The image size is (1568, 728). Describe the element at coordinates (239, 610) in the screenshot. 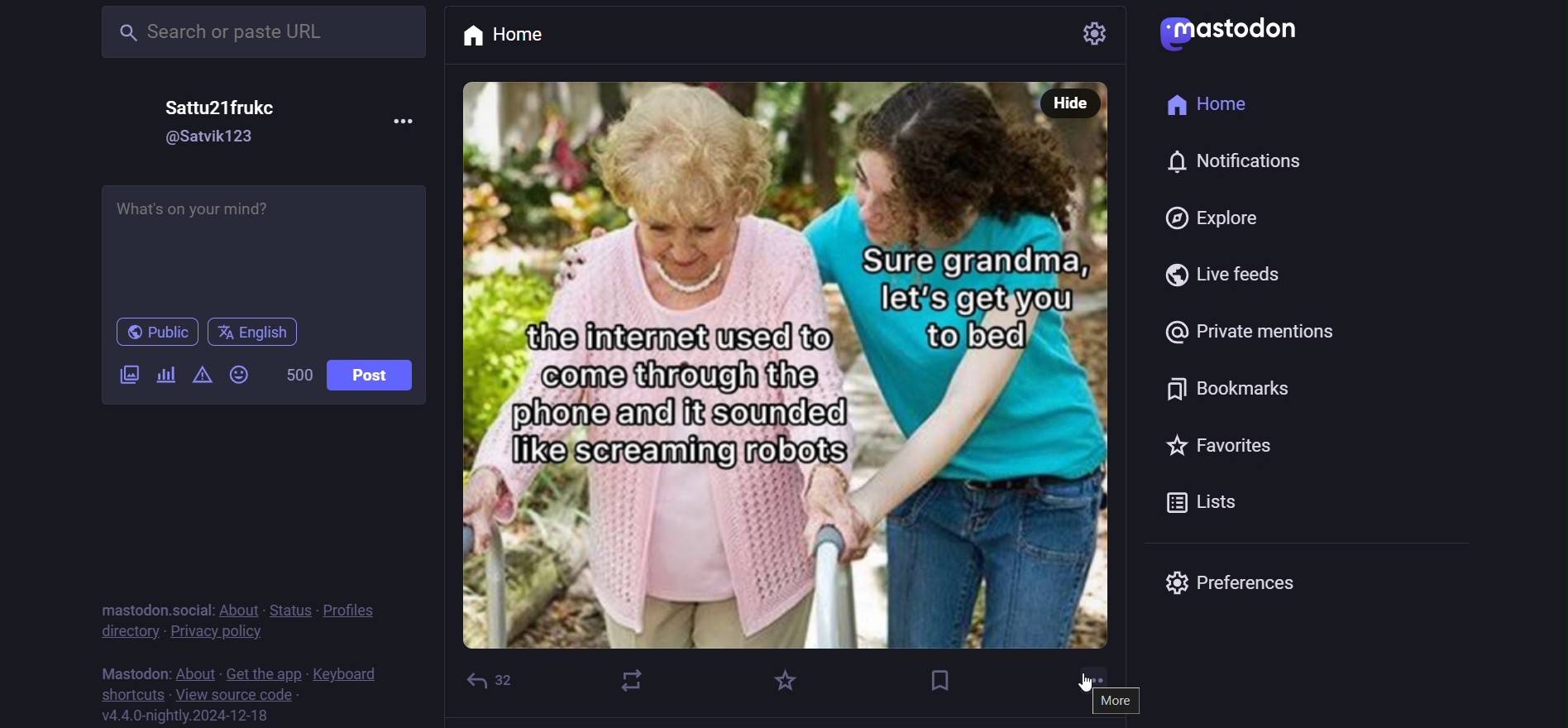

I see `about` at that location.